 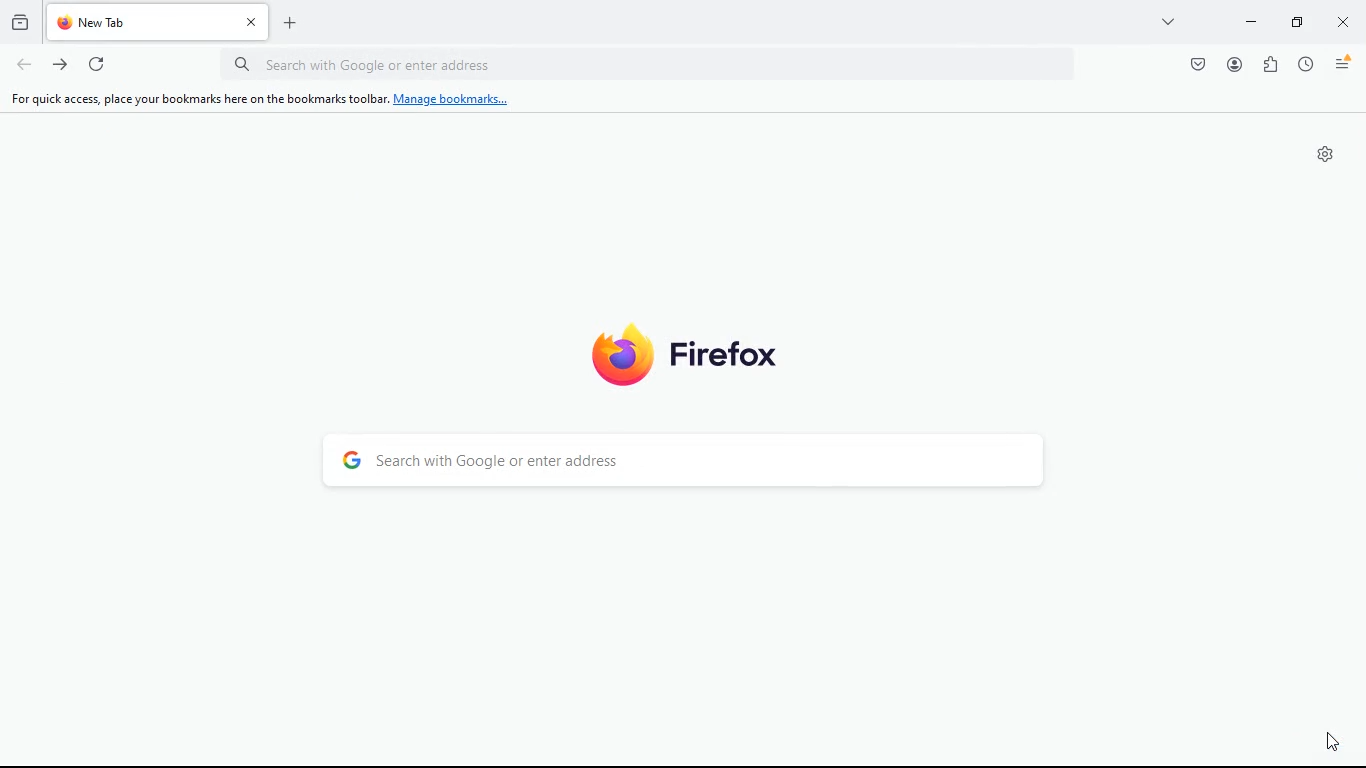 What do you see at coordinates (24, 66) in the screenshot?
I see `back` at bounding box center [24, 66].